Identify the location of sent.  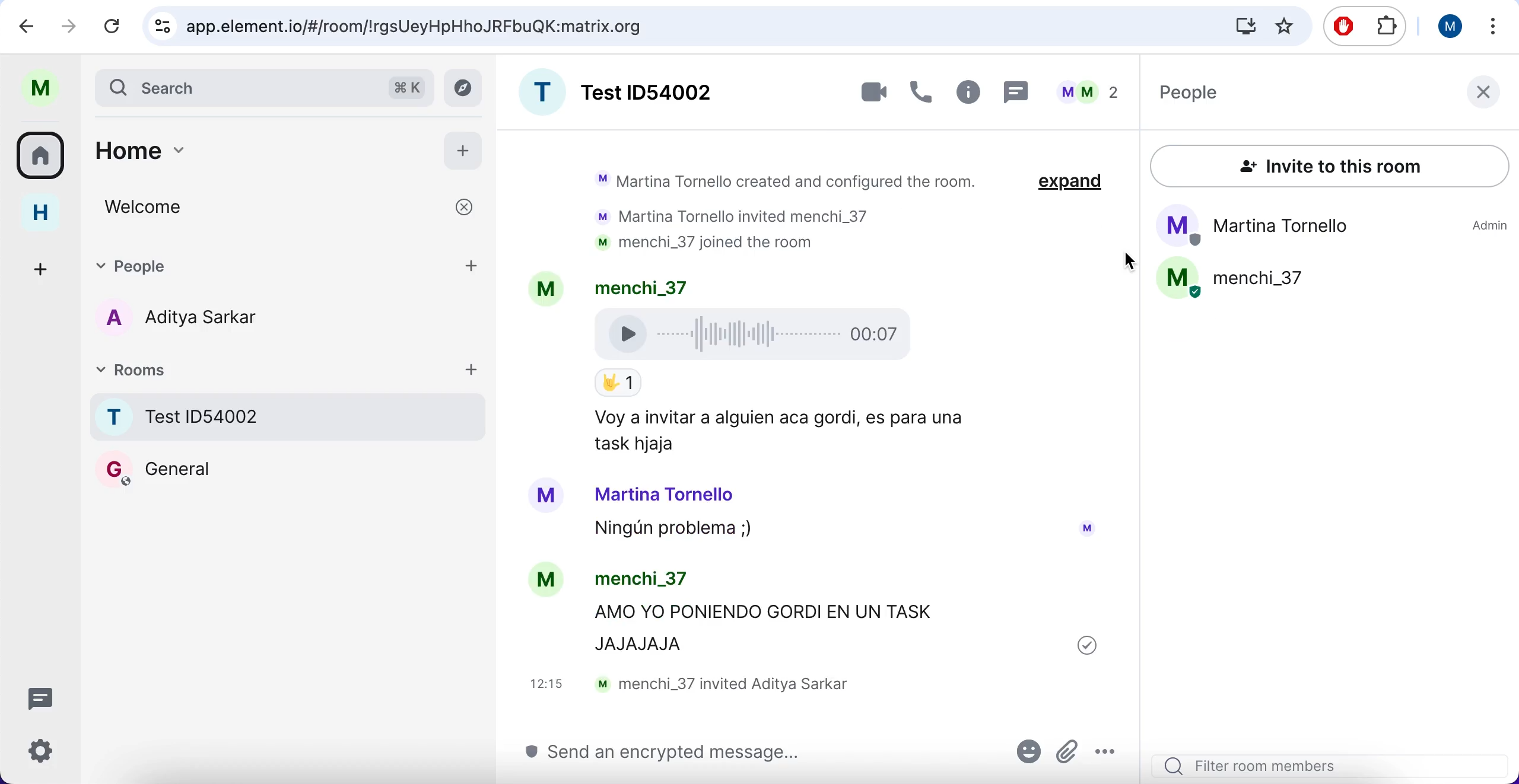
(1086, 647).